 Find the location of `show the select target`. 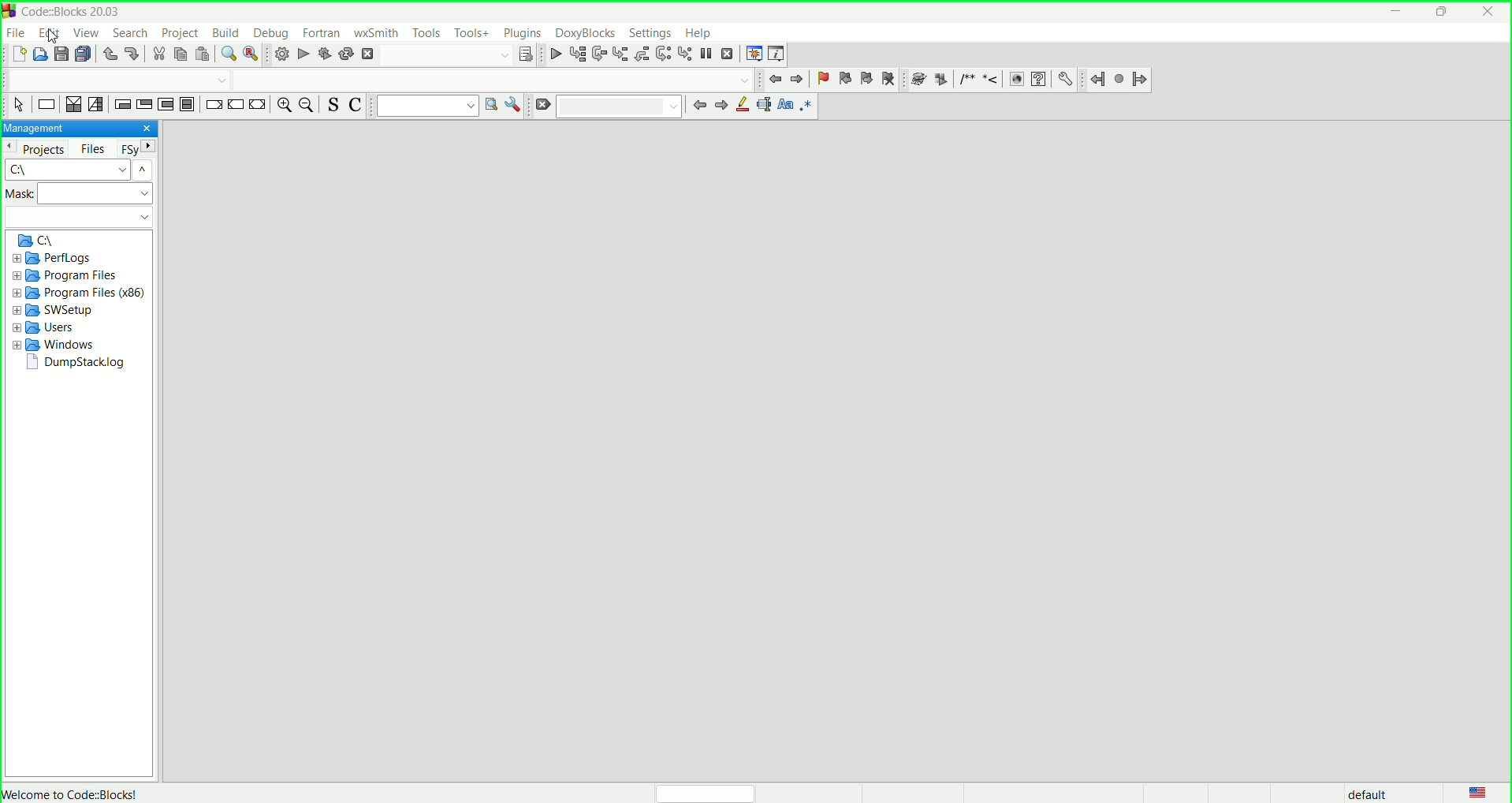

show the select target is located at coordinates (527, 54).